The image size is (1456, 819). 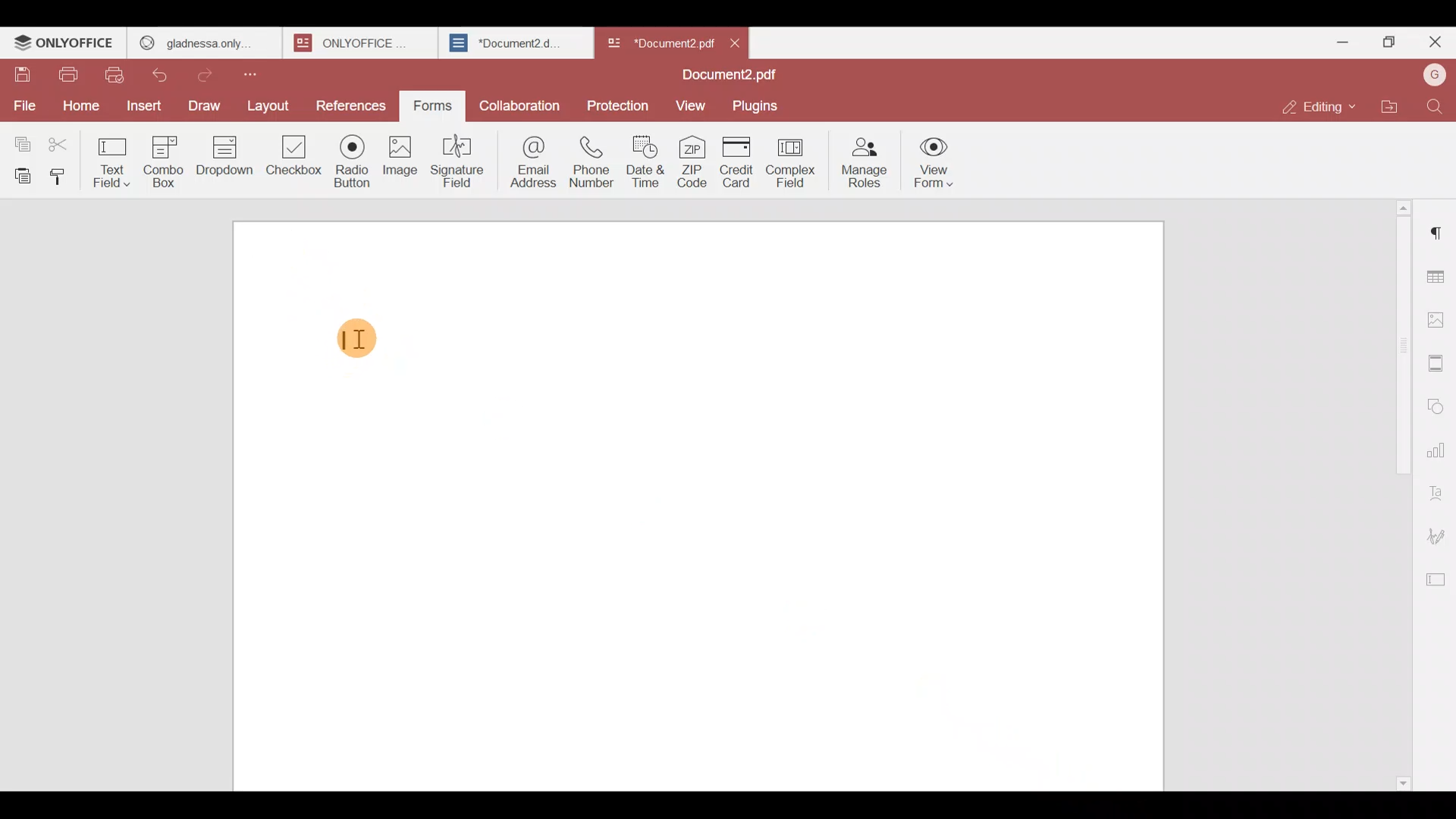 I want to click on Undo, so click(x=163, y=76).